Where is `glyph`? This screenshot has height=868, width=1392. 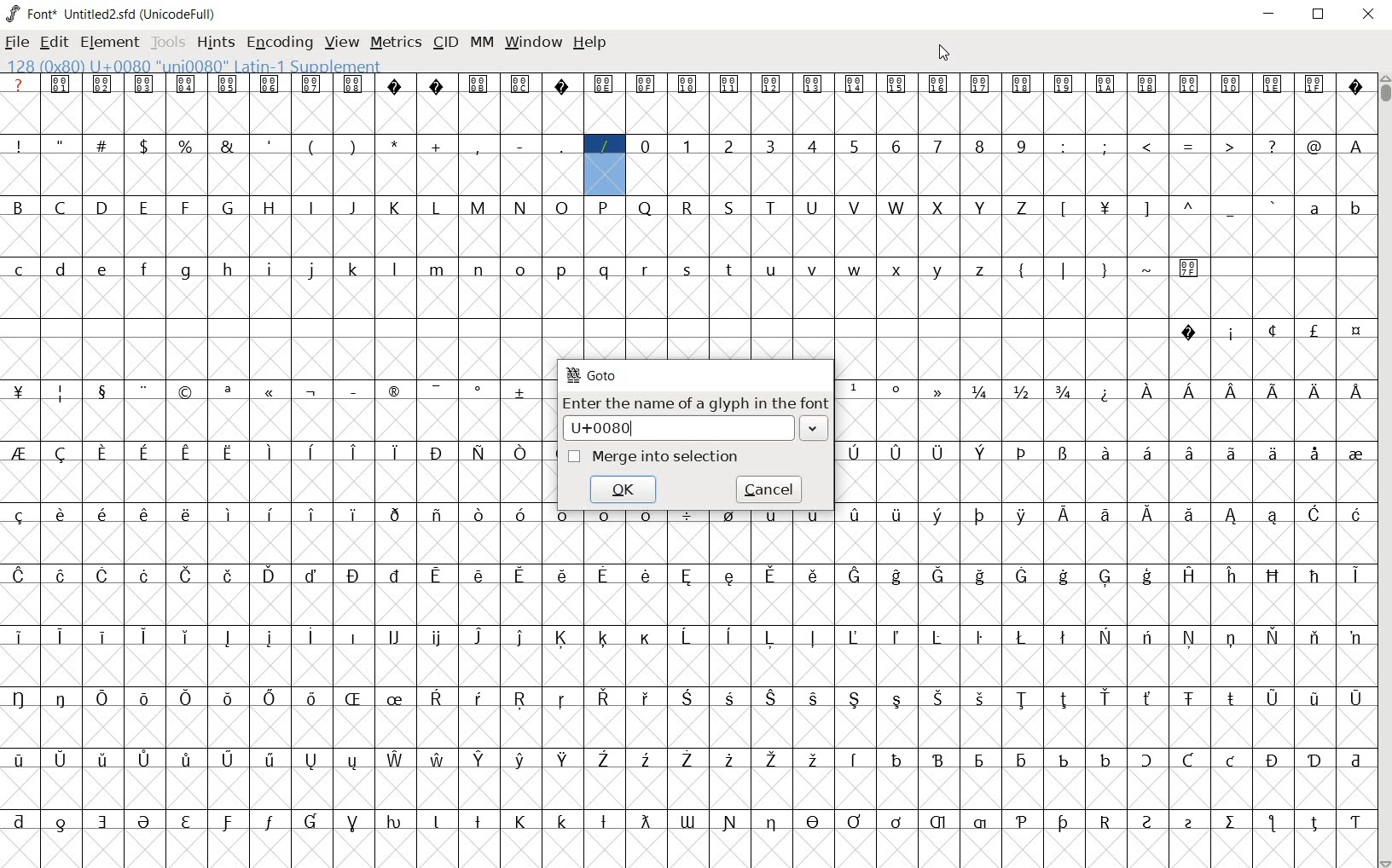
glyph is located at coordinates (396, 760).